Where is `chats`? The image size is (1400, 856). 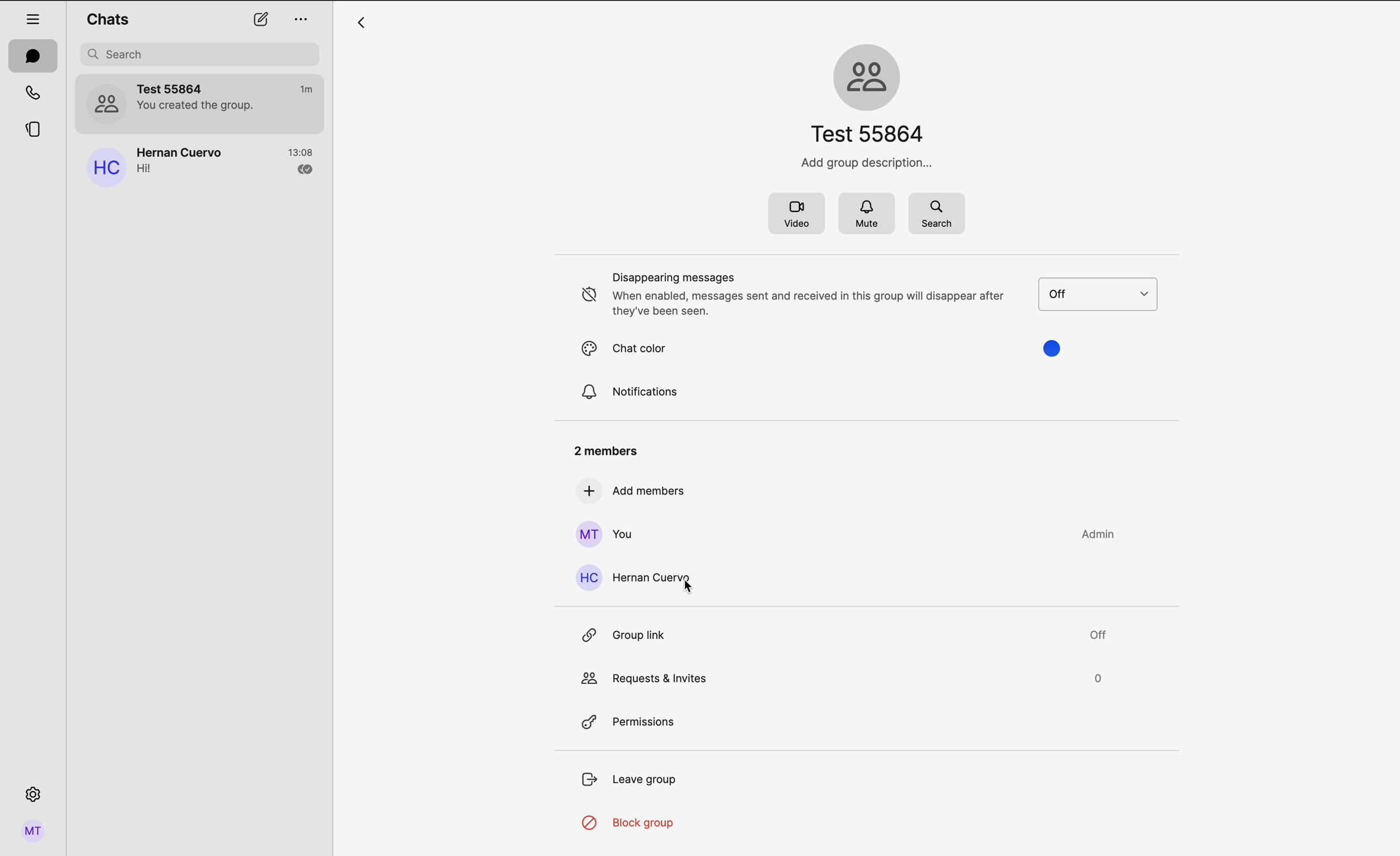
chats is located at coordinates (34, 56).